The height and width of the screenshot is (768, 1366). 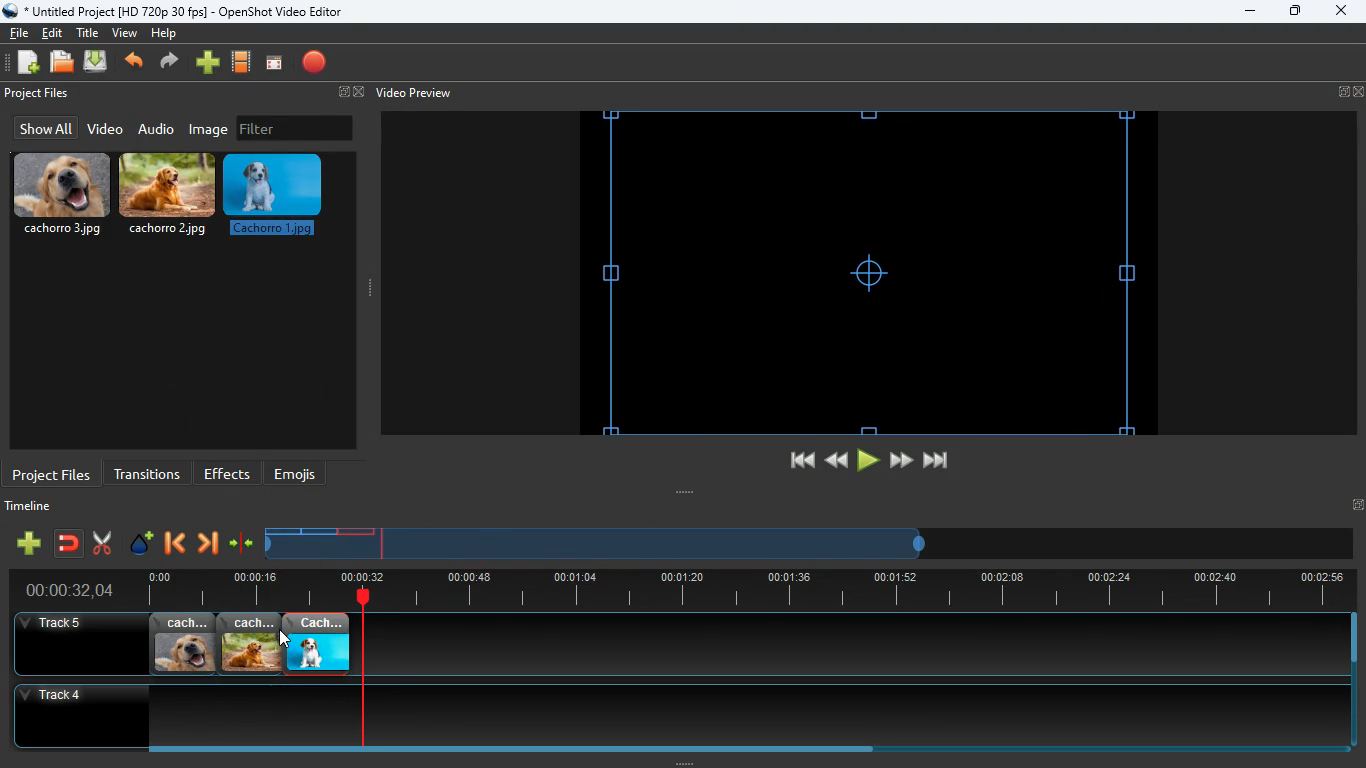 What do you see at coordinates (295, 128) in the screenshot?
I see `filter` at bounding box center [295, 128].